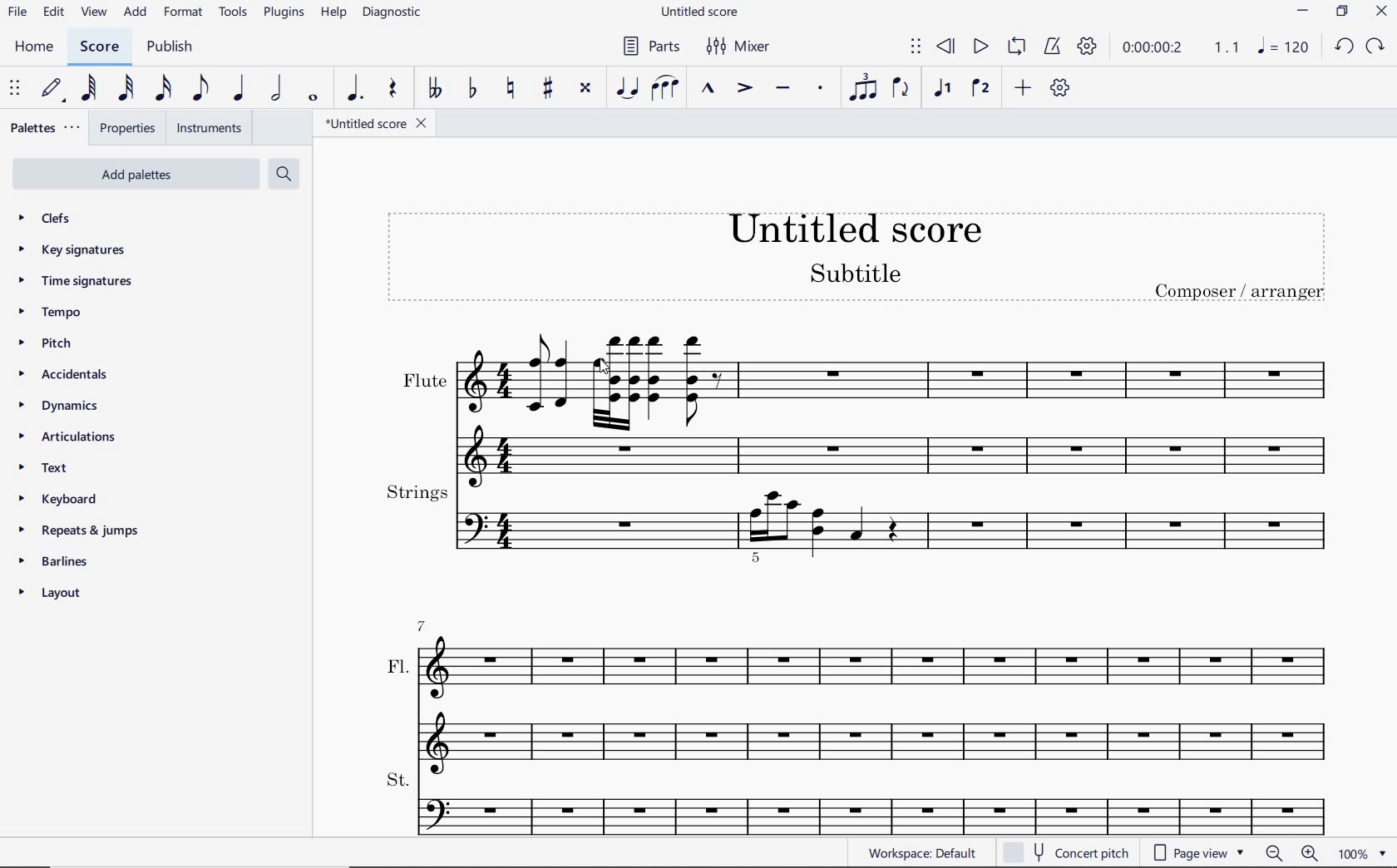 The height and width of the screenshot is (868, 1397). I want to click on clefs, so click(81, 217).